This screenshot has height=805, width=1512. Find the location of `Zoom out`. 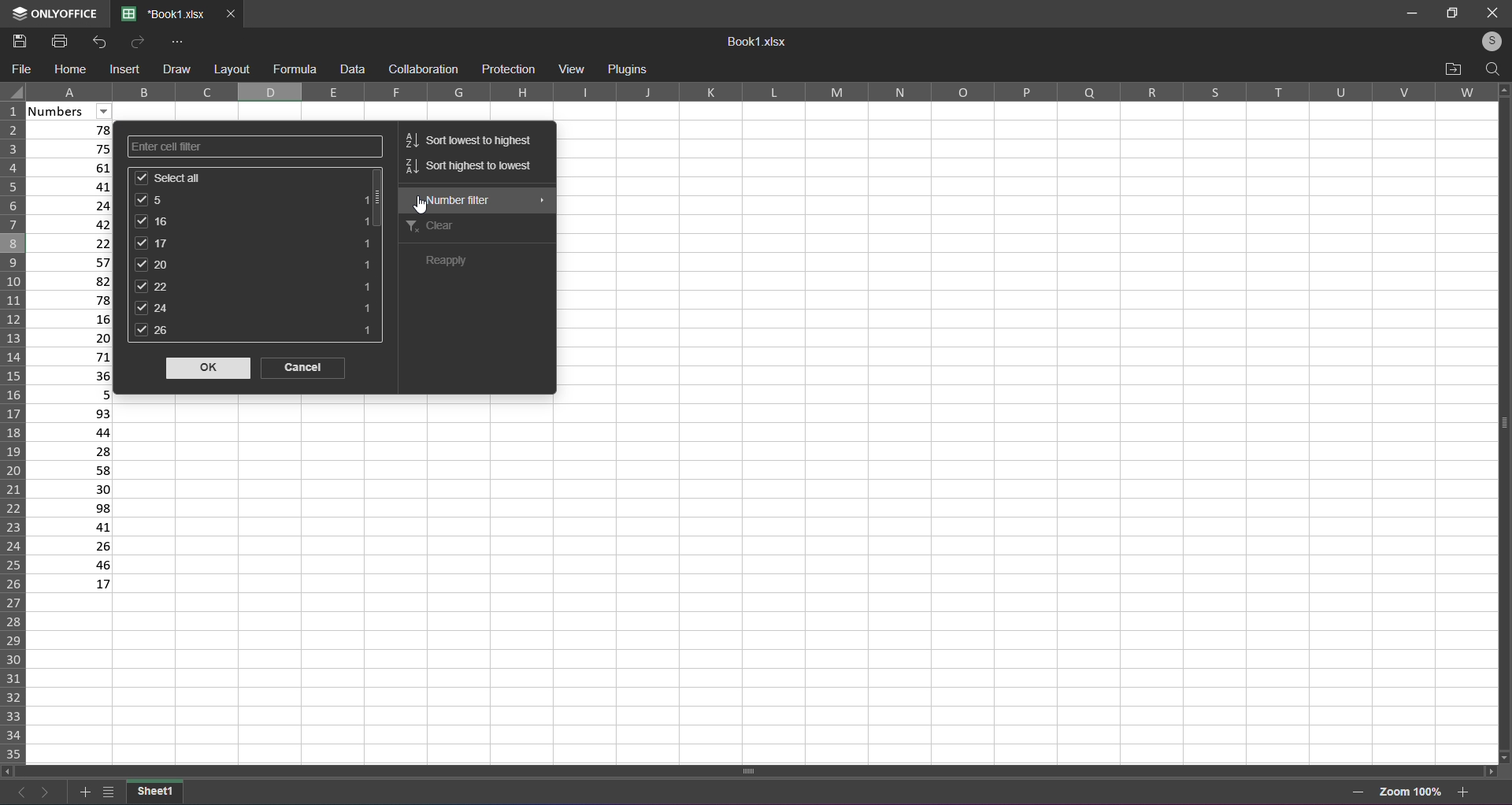

Zoom out is located at coordinates (1358, 792).